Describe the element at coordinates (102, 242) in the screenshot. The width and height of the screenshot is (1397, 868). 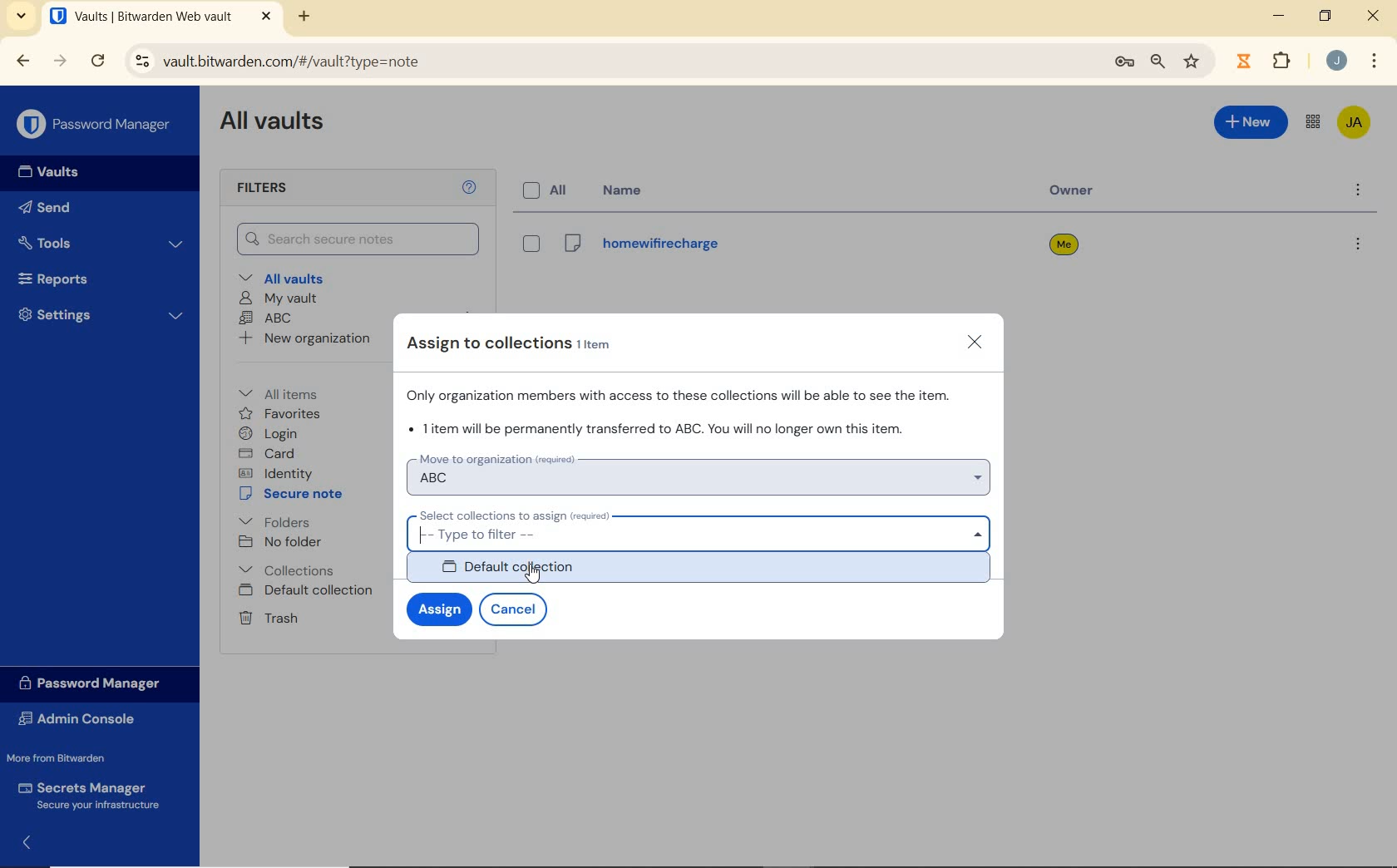
I see `Tools` at that location.